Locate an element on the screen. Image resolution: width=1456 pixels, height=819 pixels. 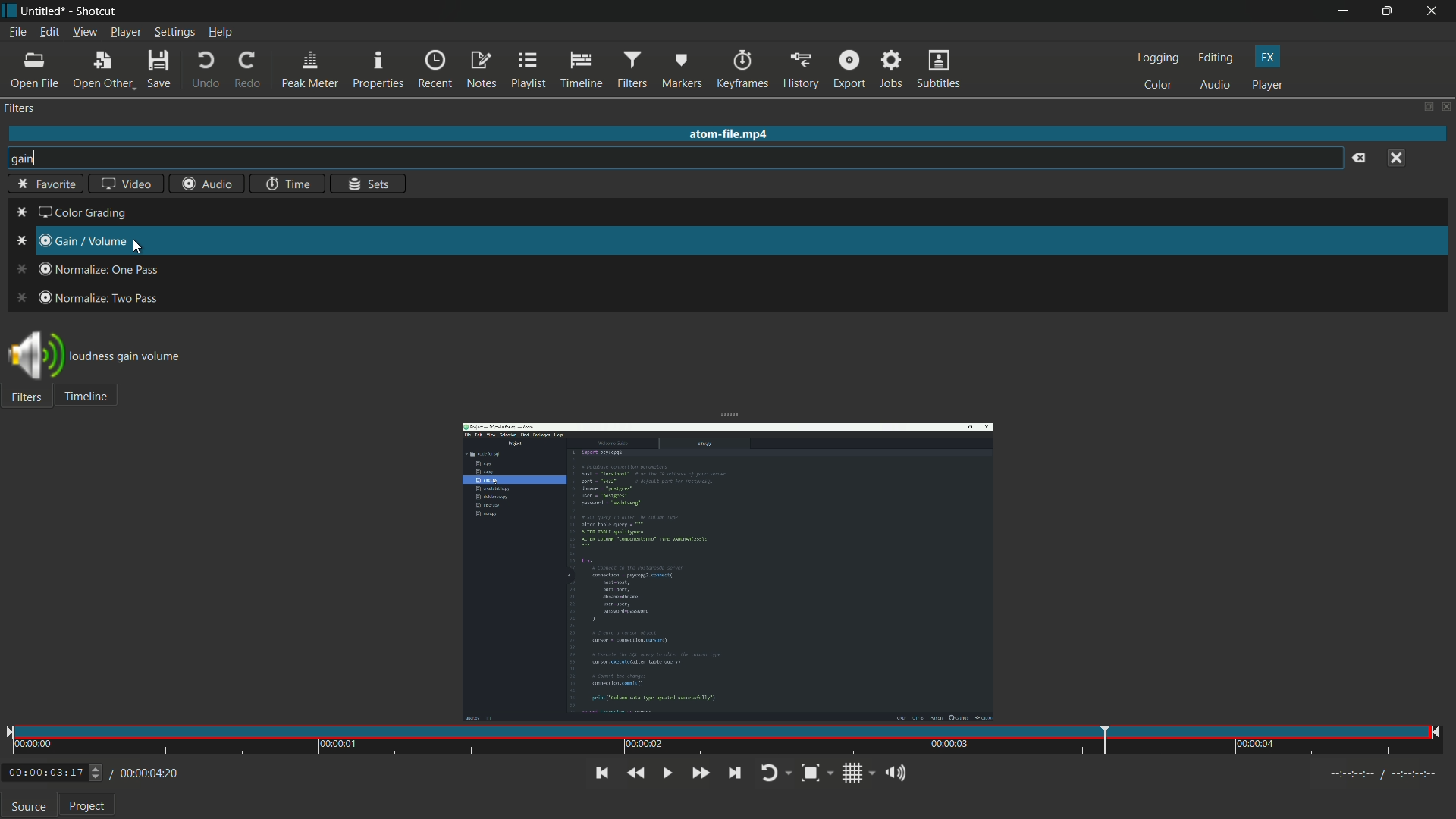
maximize is located at coordinates (1387, 11).